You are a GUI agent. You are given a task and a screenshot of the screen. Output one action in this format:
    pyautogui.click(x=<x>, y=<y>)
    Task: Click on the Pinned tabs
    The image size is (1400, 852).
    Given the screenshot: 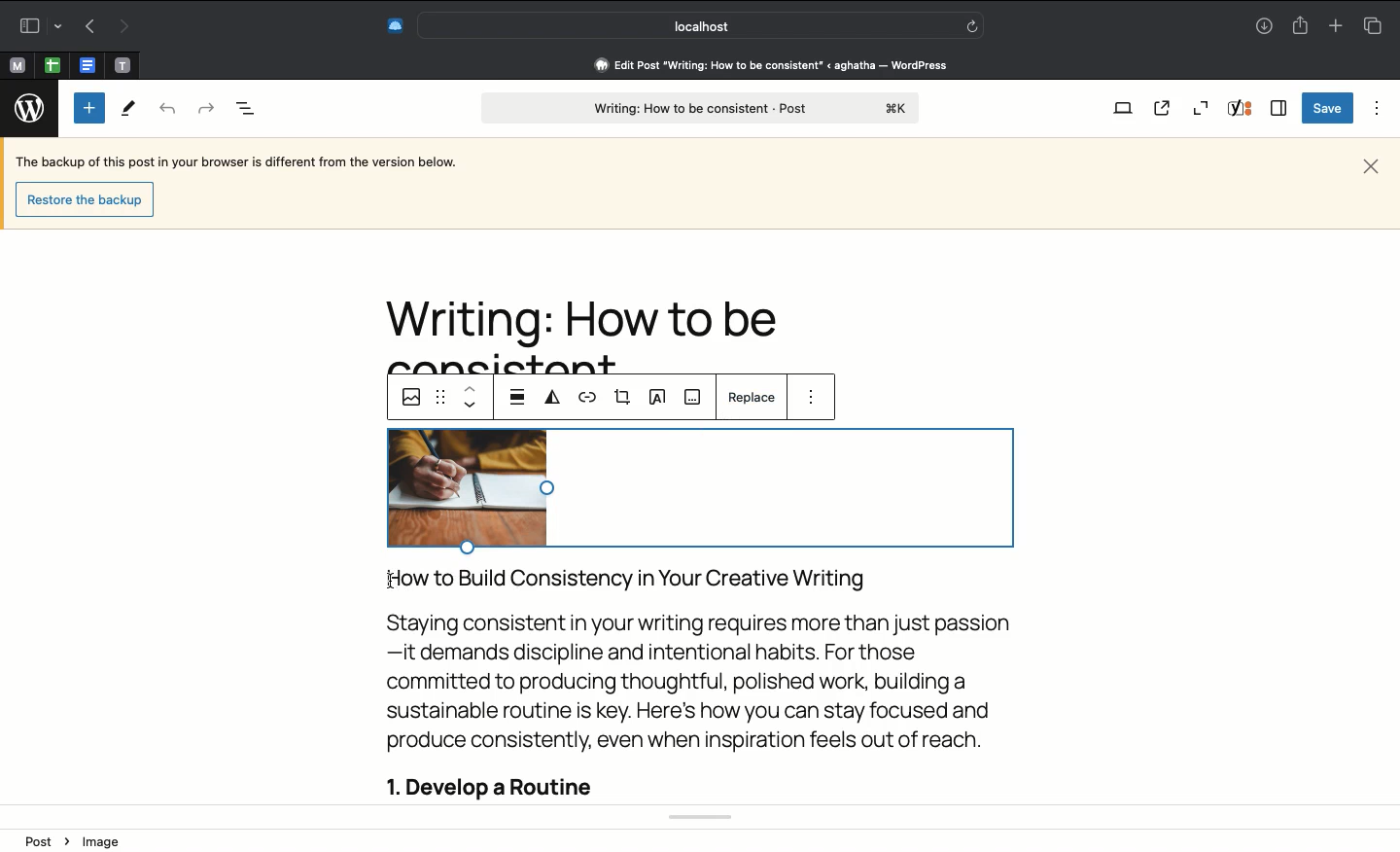 What is the action you would take?
    pyautogui.click(x=121, y=65)
    